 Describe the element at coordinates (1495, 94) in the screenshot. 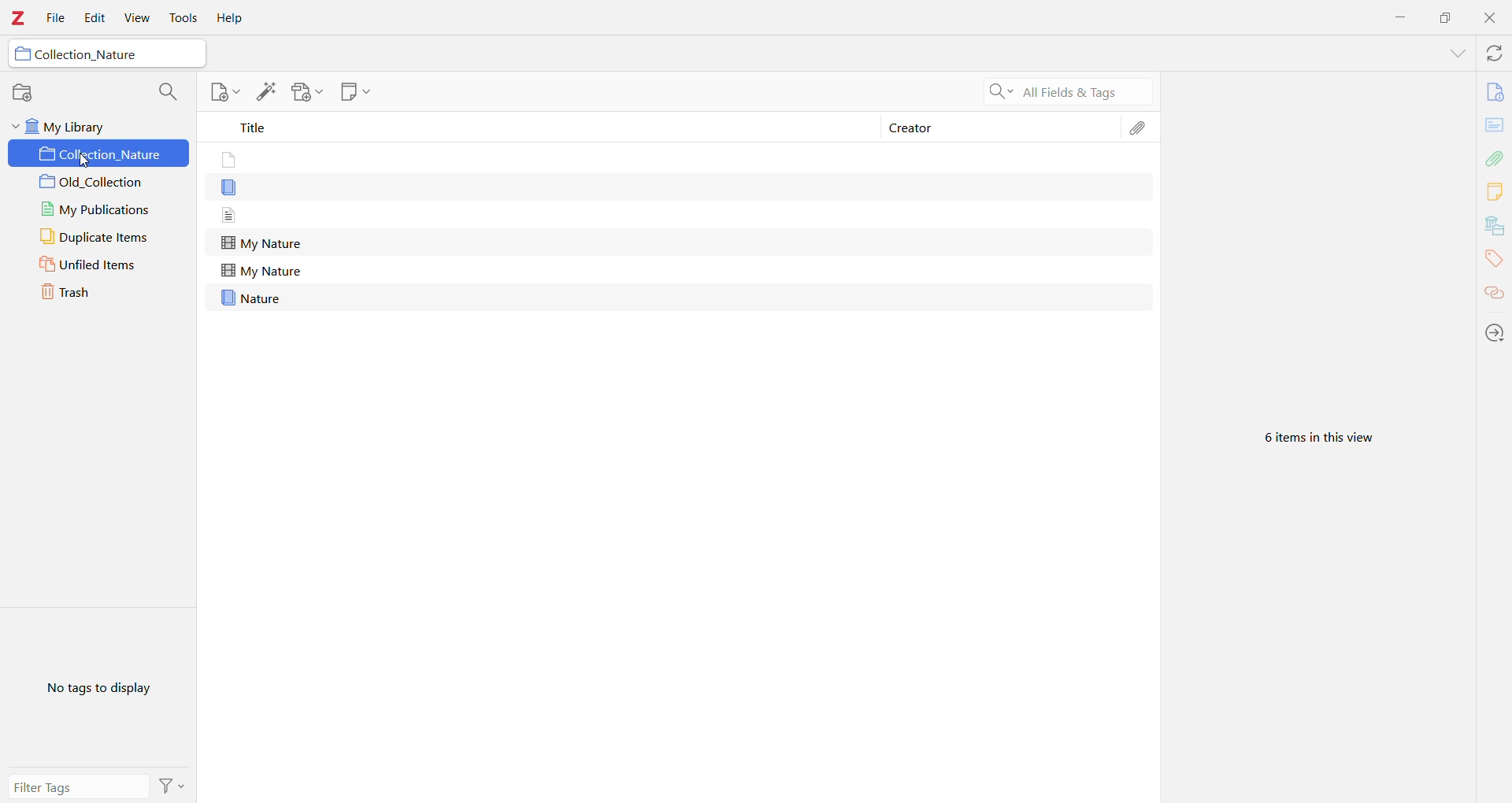

I see `Info` at that location.